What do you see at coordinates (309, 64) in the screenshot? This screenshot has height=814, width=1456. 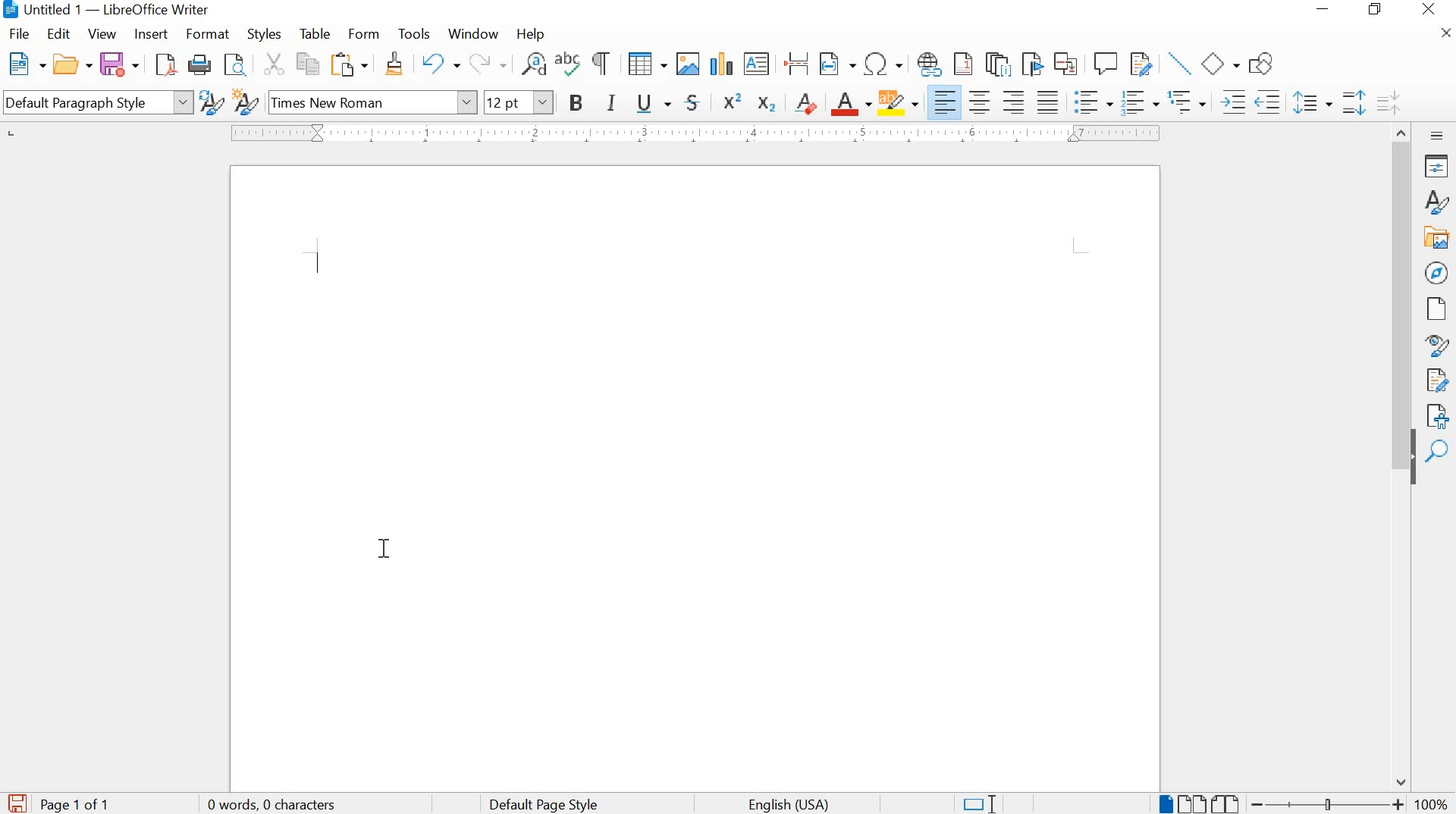 I see `COPY` at bounding box center [309, 64].